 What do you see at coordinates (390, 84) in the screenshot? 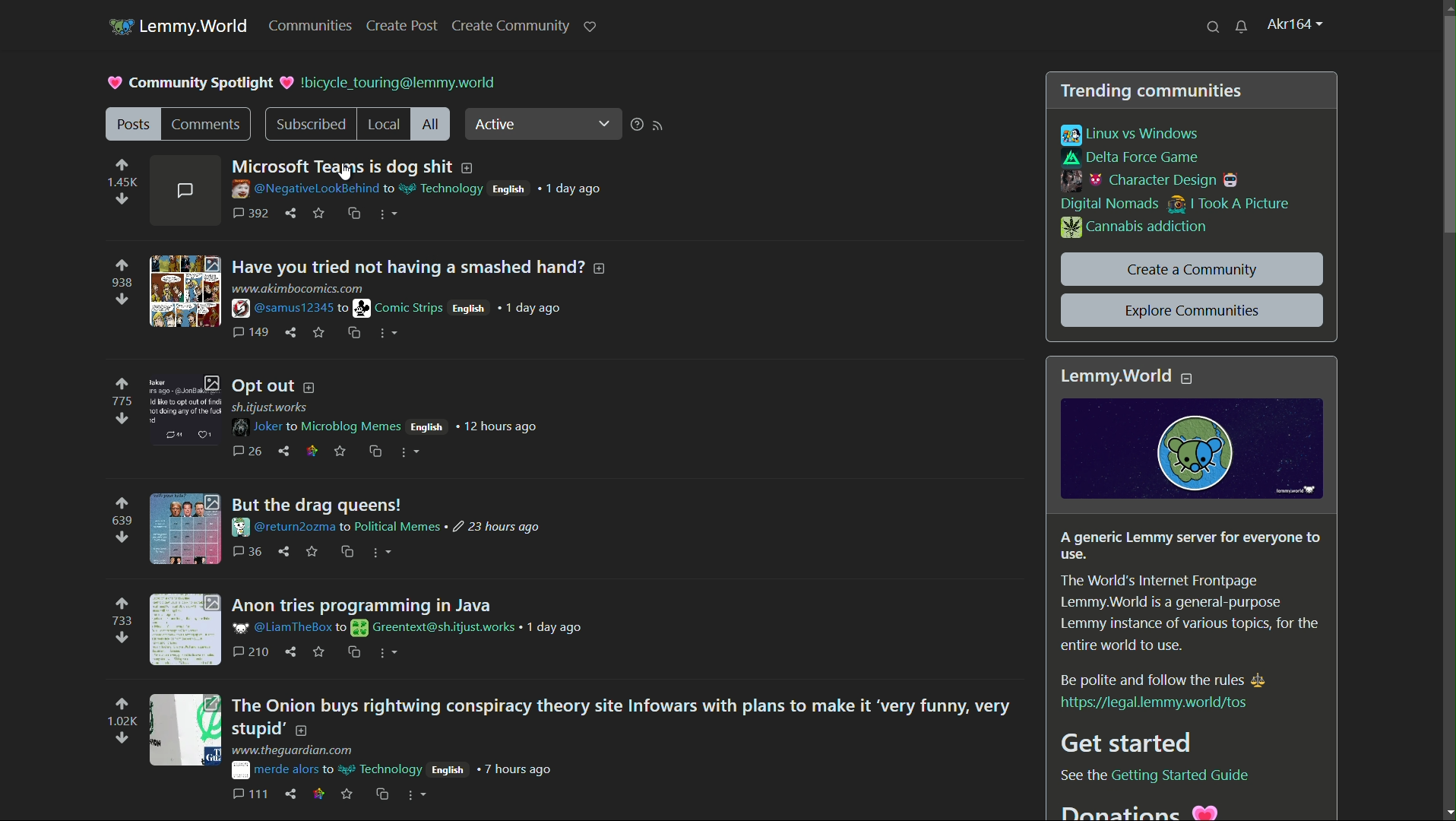
I see `username` at bounding box center [390, 84].